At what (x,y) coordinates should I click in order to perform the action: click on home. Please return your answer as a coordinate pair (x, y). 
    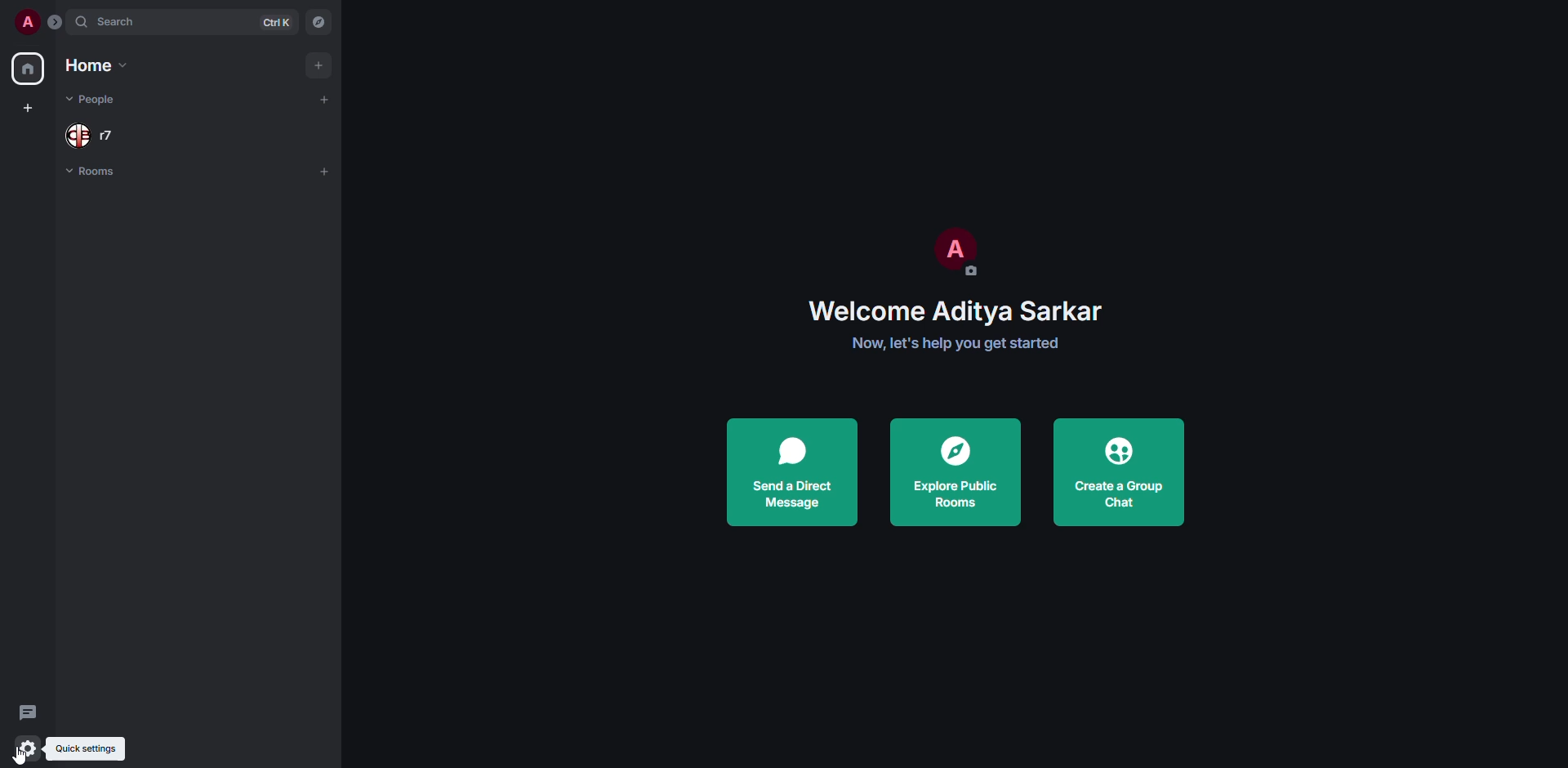
    Looking at the image, I should click on (95, 64).